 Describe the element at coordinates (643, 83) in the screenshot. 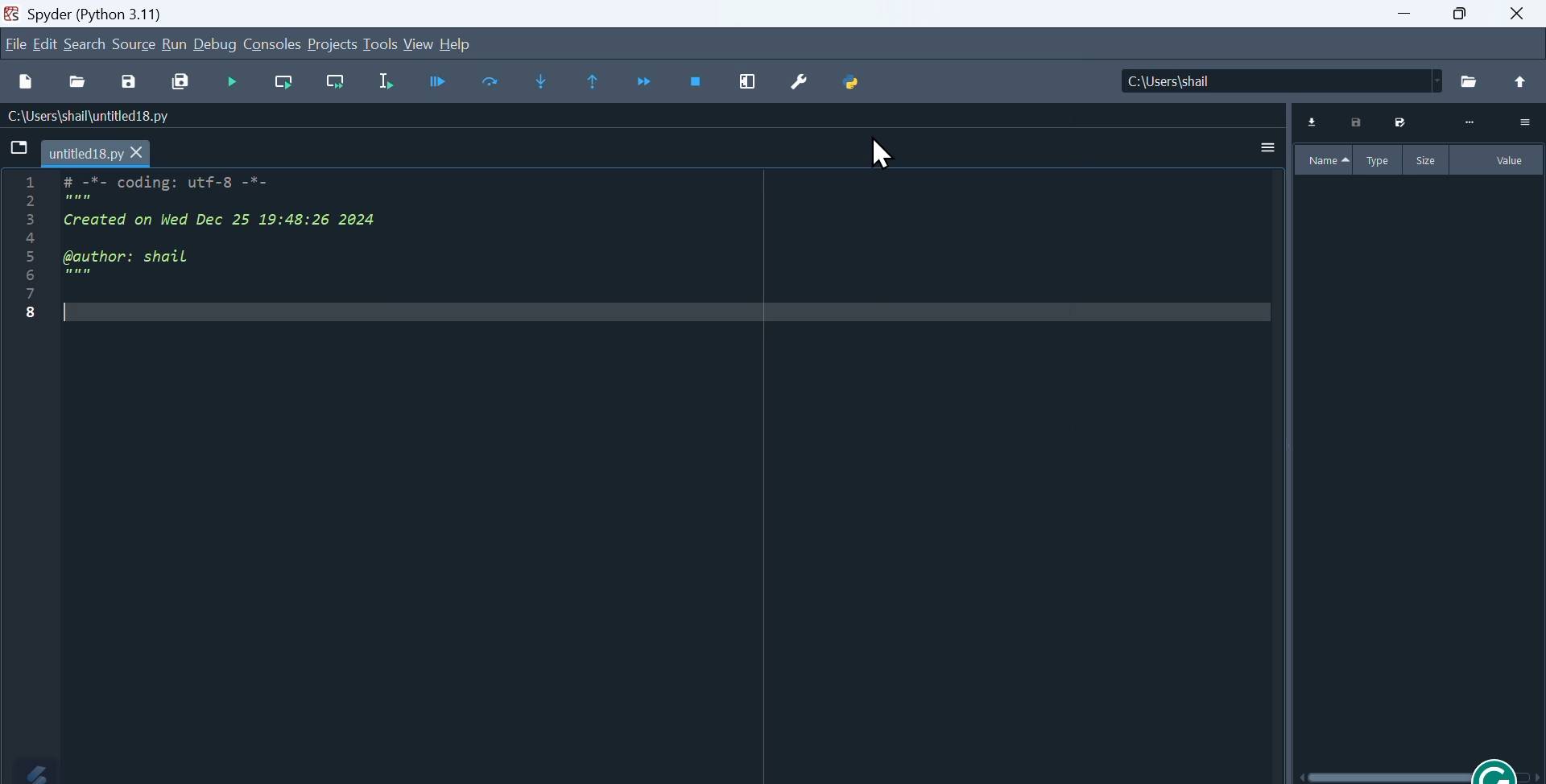

I see `Continue execution until breakout` at that location.